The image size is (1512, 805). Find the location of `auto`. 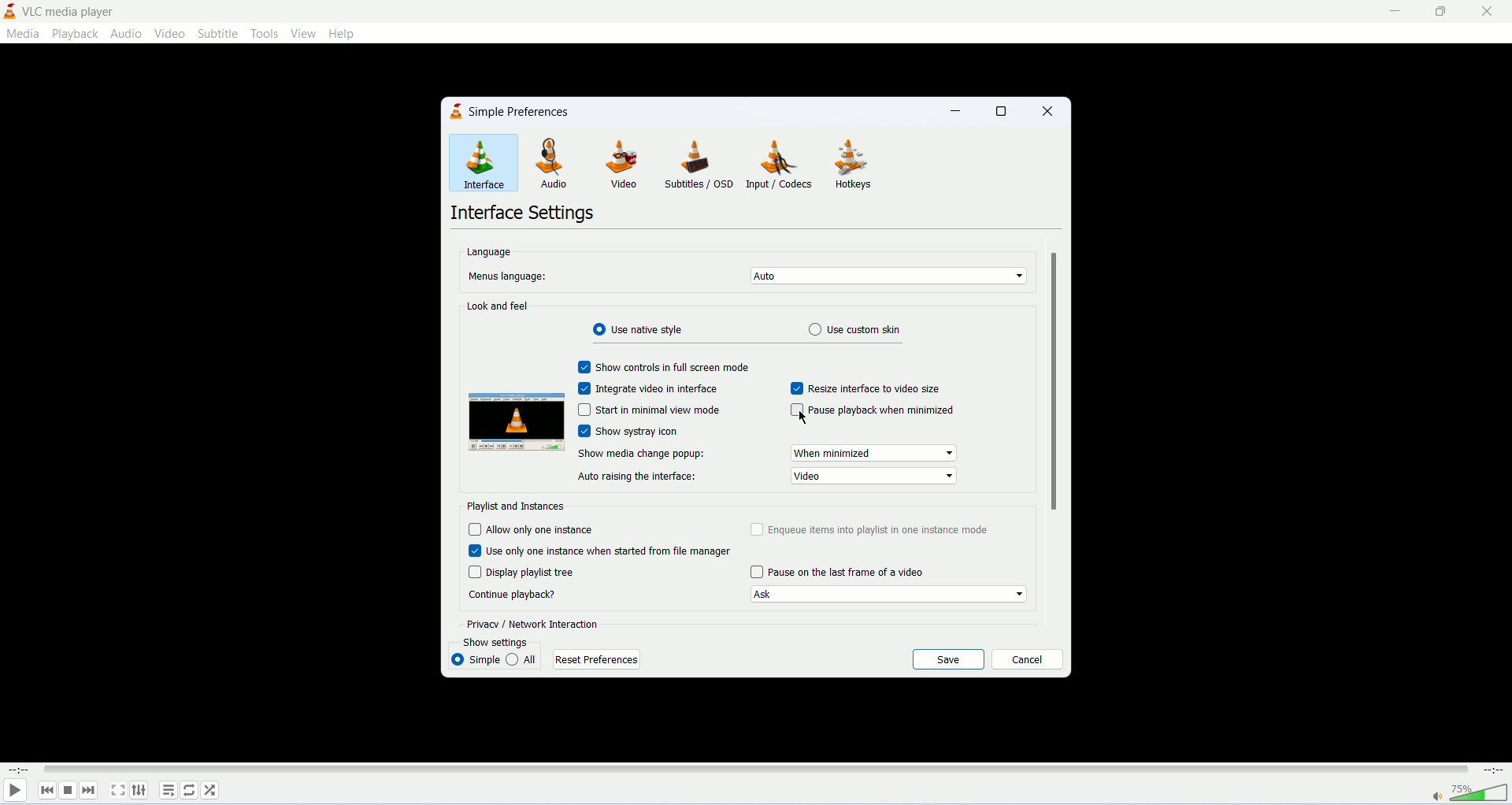

auto is located at coordinates (883, 276).